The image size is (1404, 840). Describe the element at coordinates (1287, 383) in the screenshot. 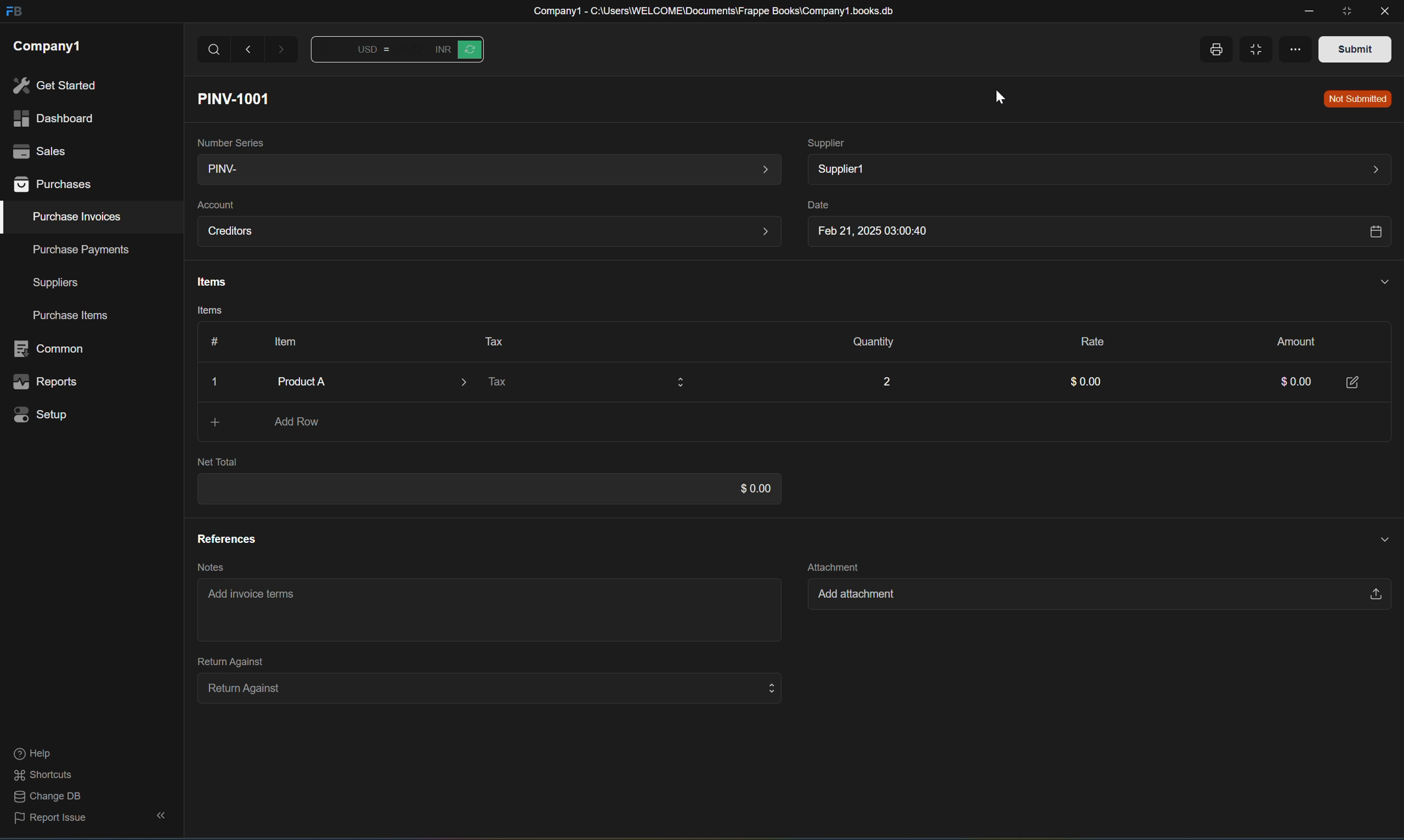

I see `0.00` at that location.